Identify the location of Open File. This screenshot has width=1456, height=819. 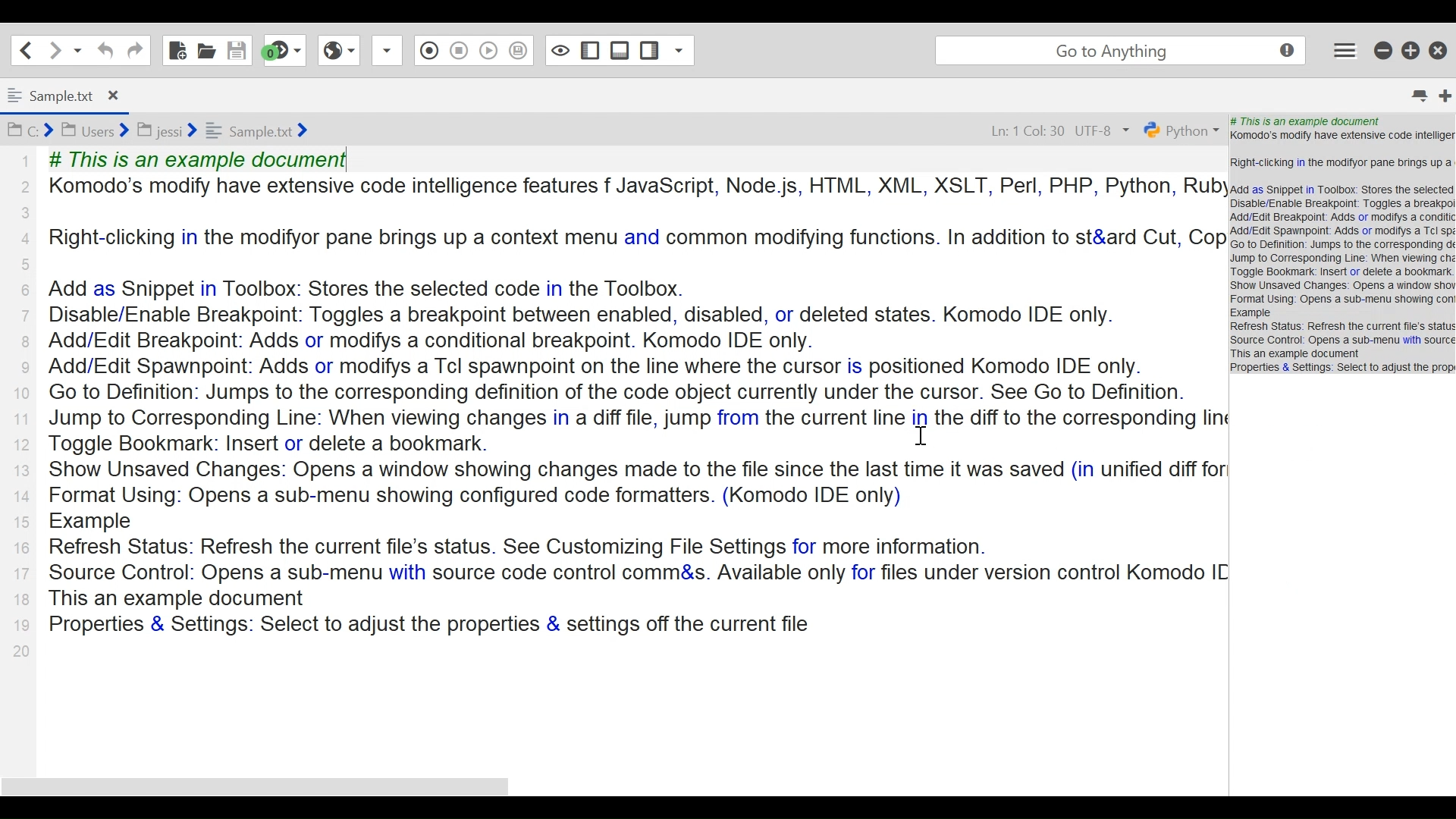
(206, 49).